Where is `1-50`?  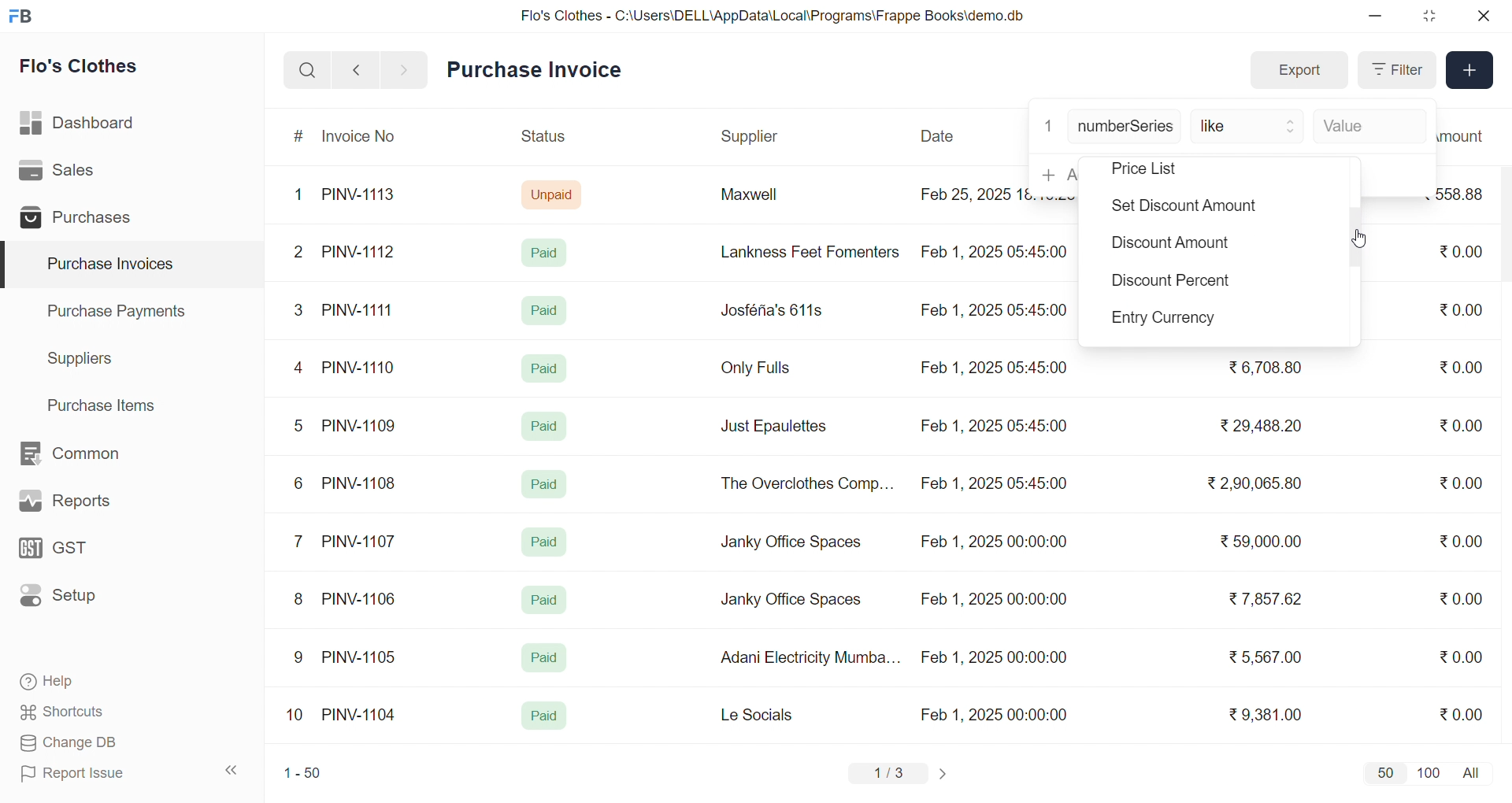
1-50 is located at coordinates (302, 775).